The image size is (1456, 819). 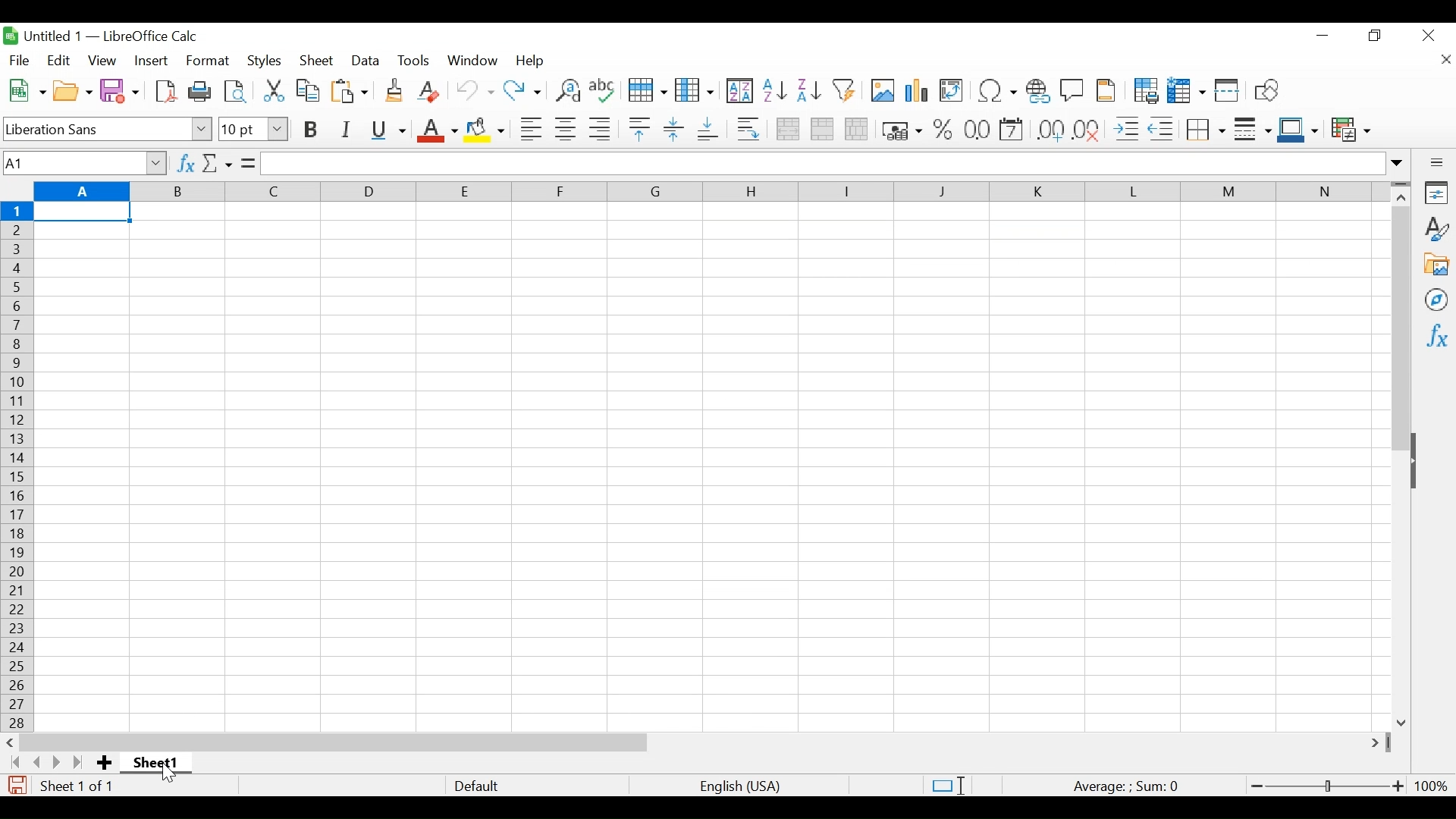 I want to click on Background Color, so click(x=486, y=132).